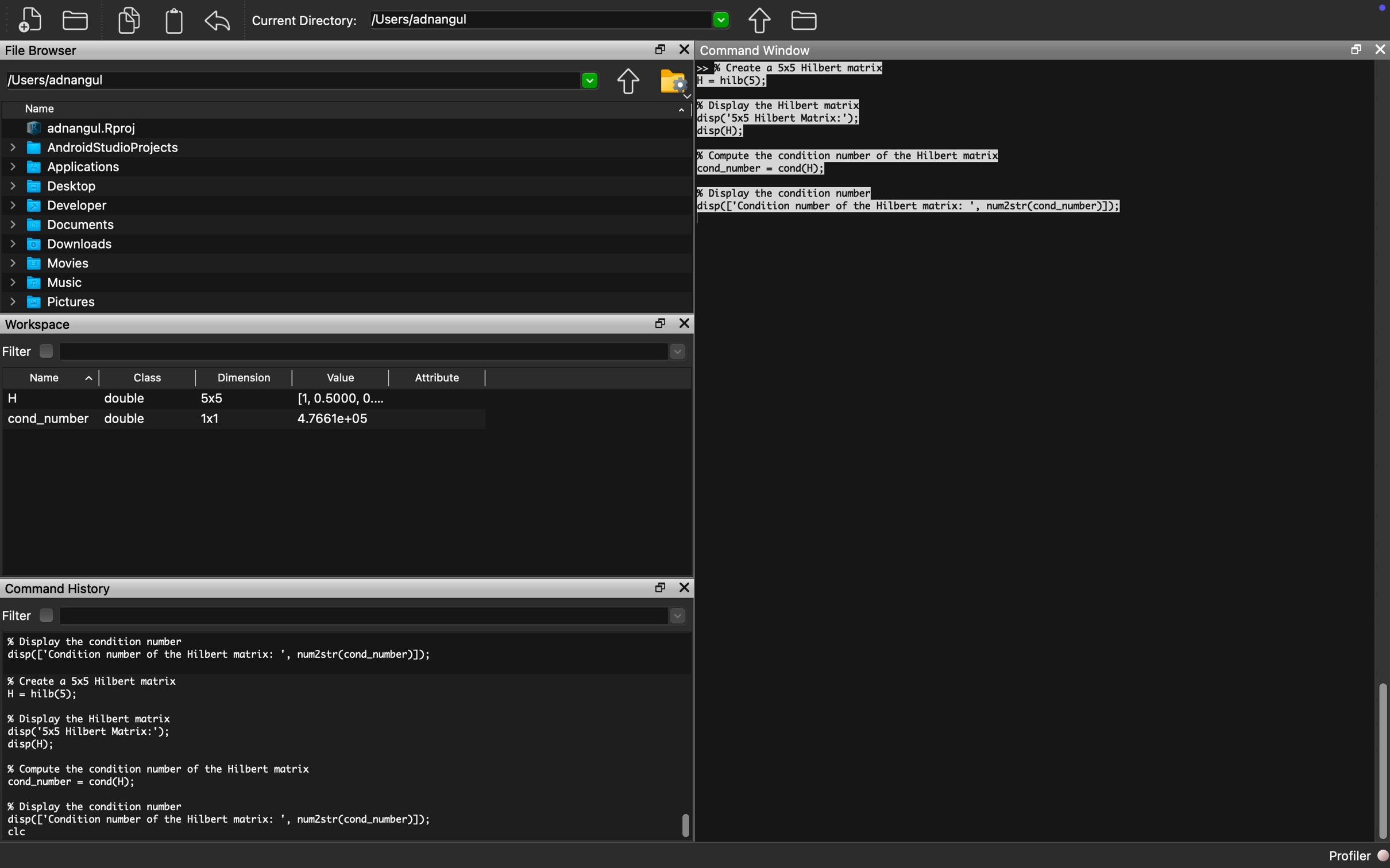 This screenshot has height=868, width=1390. What do you see at coordinates (550, 22) in the screenshot?
I see `[Users/adnangul ` at bounding box center [550, 22].